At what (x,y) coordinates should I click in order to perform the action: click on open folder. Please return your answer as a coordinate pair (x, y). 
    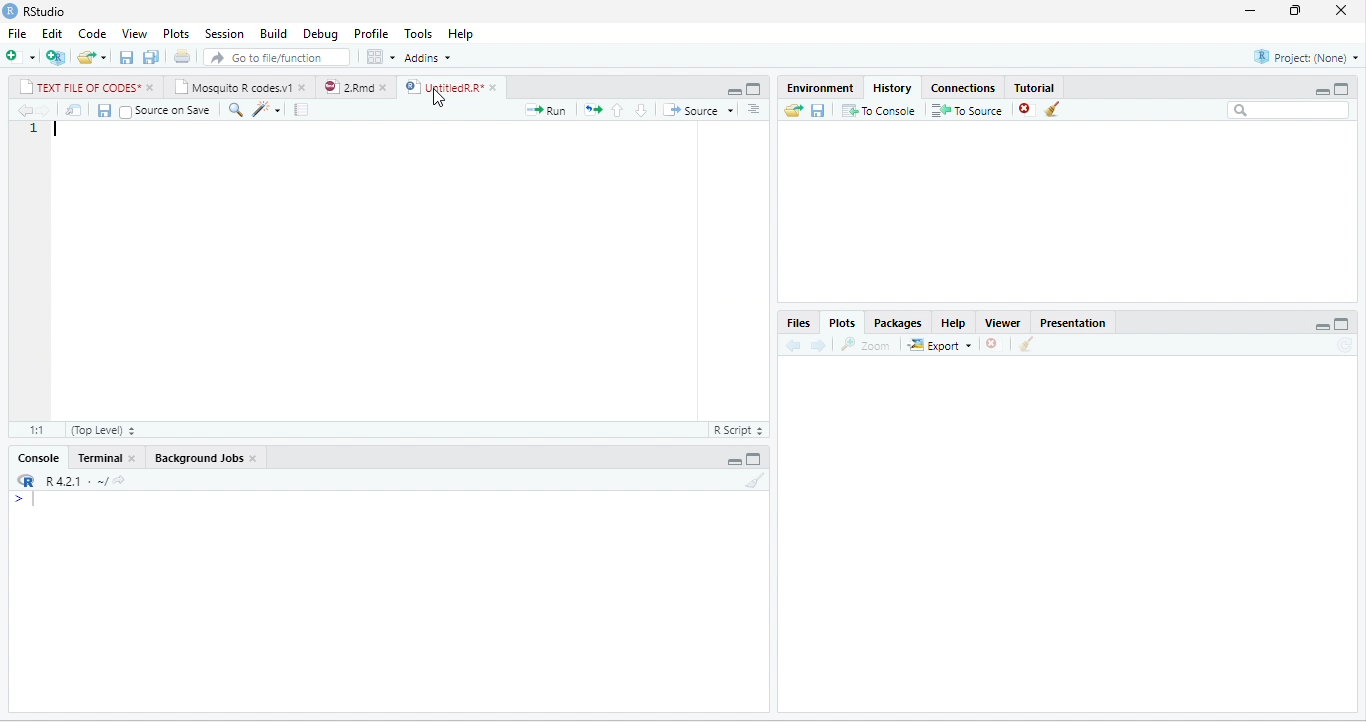
    Looking at the image, I should click on (794, 110).